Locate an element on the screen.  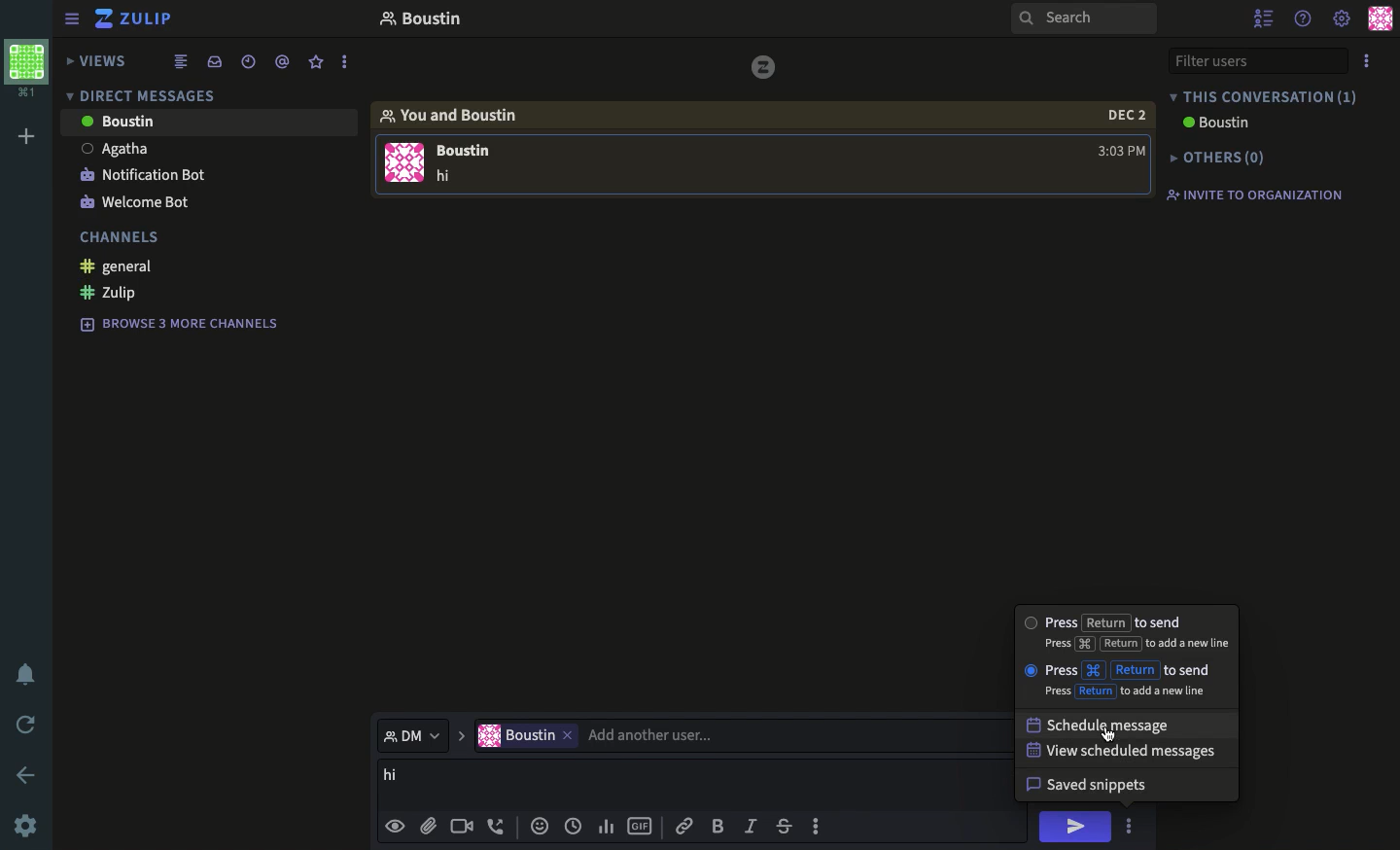
current user "Boustin" is located at coordinates (517, 736).